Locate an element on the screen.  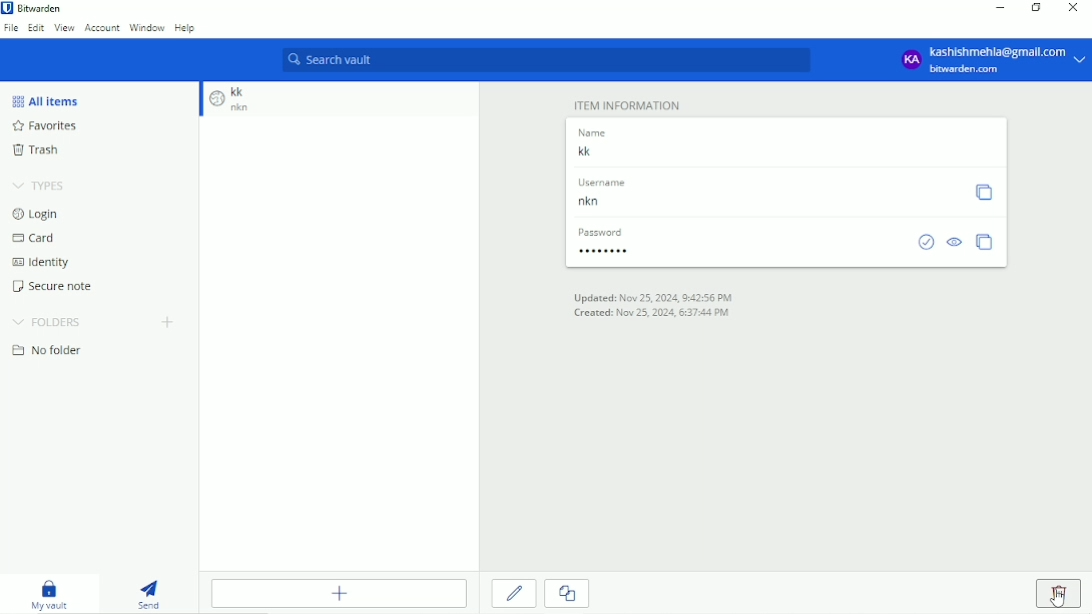
Created on date and time is located at coordinates (652, 314).